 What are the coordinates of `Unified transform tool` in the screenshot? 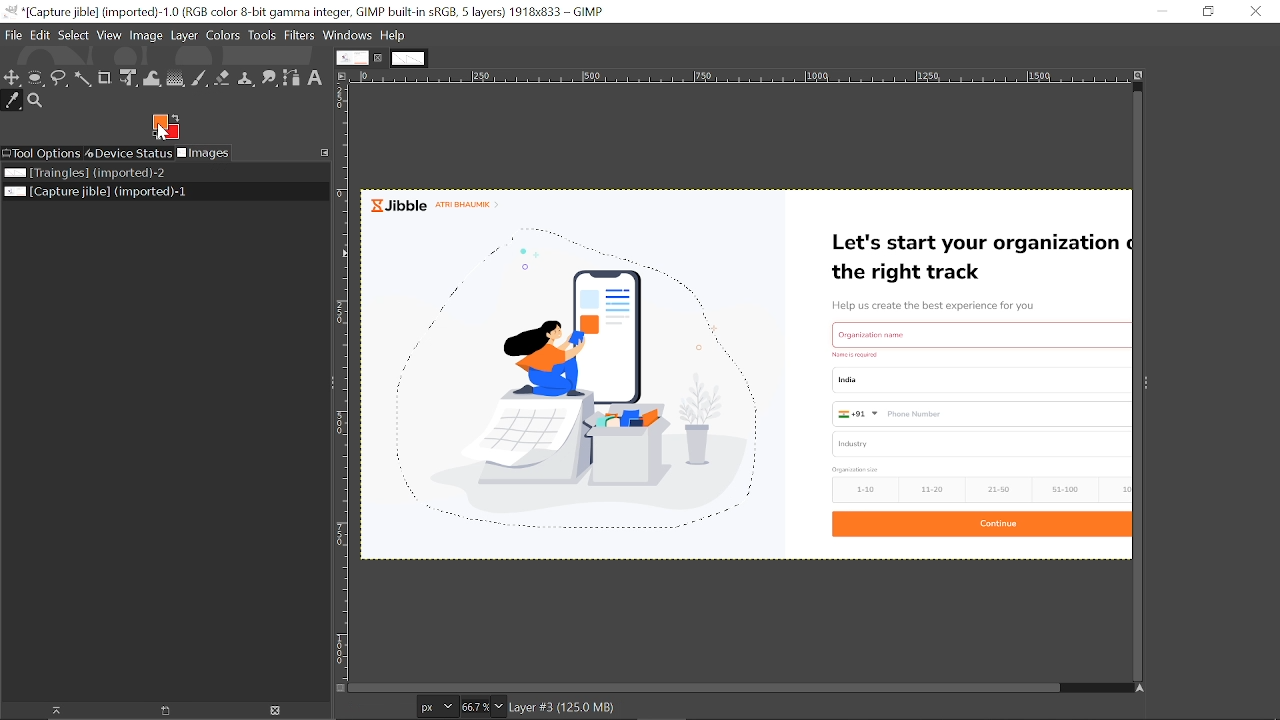 It's located at (127, 78).